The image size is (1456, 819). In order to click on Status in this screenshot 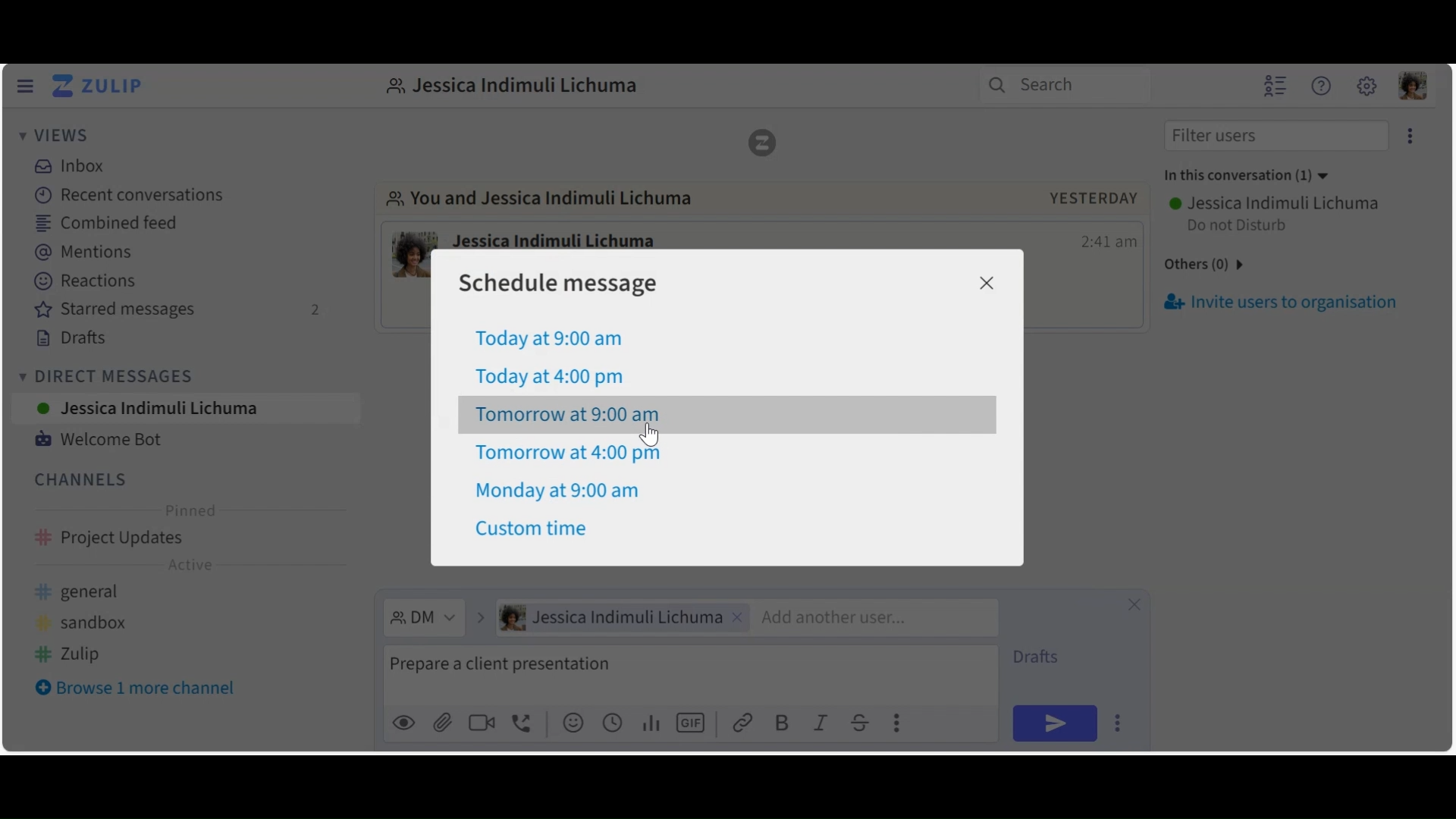, I will do `click(1239, 227)`.